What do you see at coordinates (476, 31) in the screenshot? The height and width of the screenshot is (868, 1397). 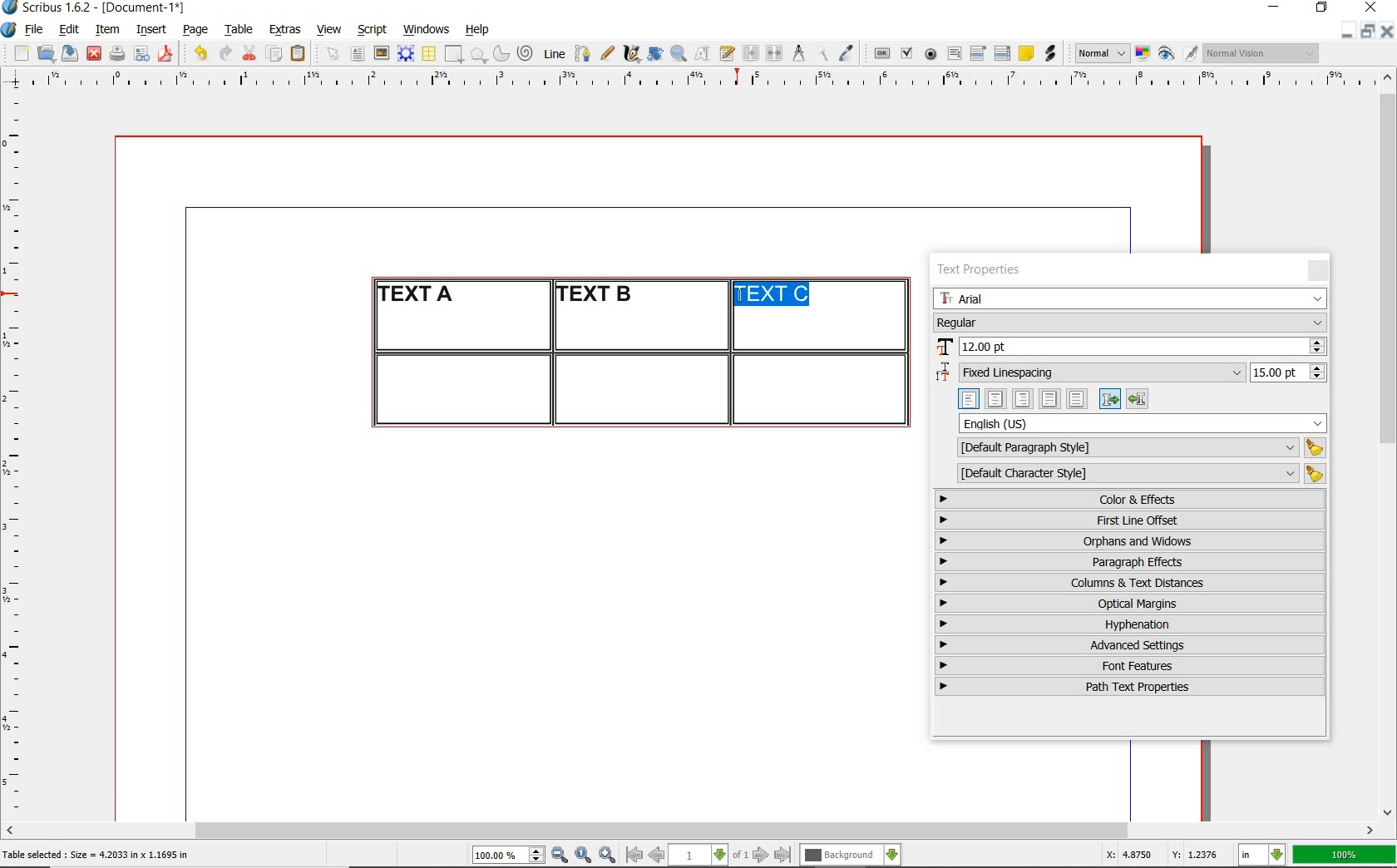 I see `help` at bounding box center [476, 31].